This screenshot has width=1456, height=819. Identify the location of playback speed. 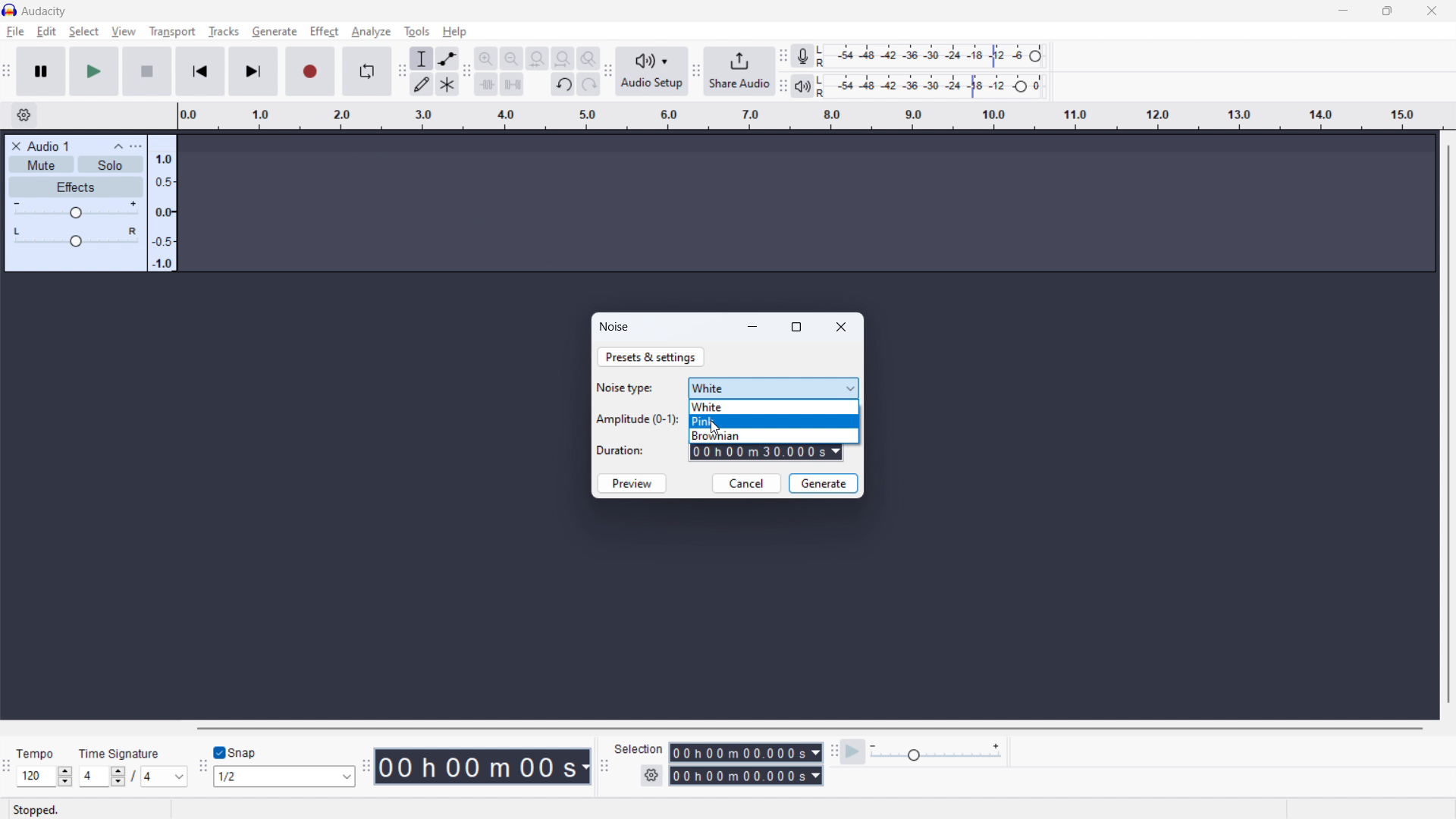
(936, 753).